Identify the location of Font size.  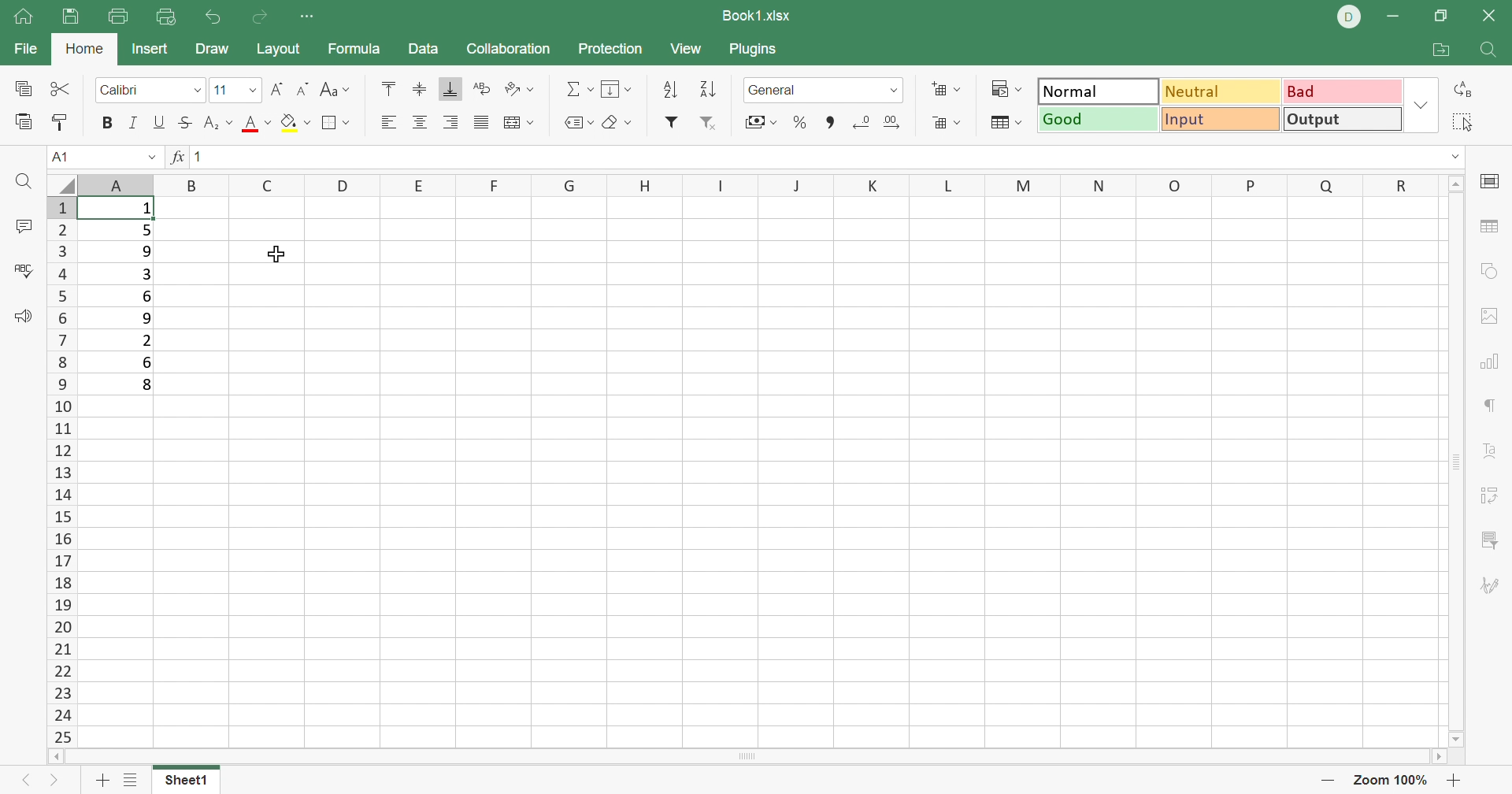
(257, 127).